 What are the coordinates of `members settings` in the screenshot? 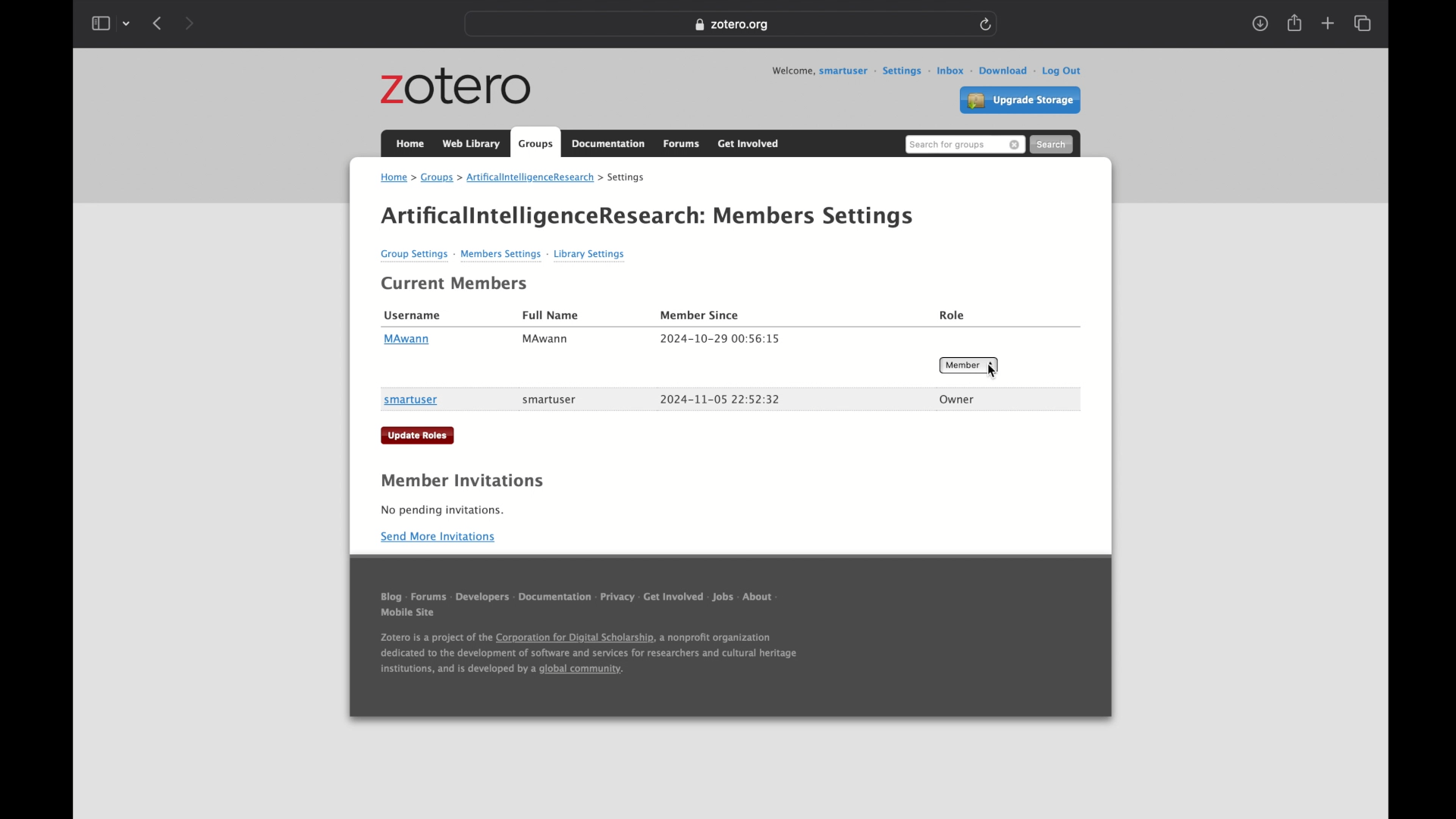 It's located at (501, 256).